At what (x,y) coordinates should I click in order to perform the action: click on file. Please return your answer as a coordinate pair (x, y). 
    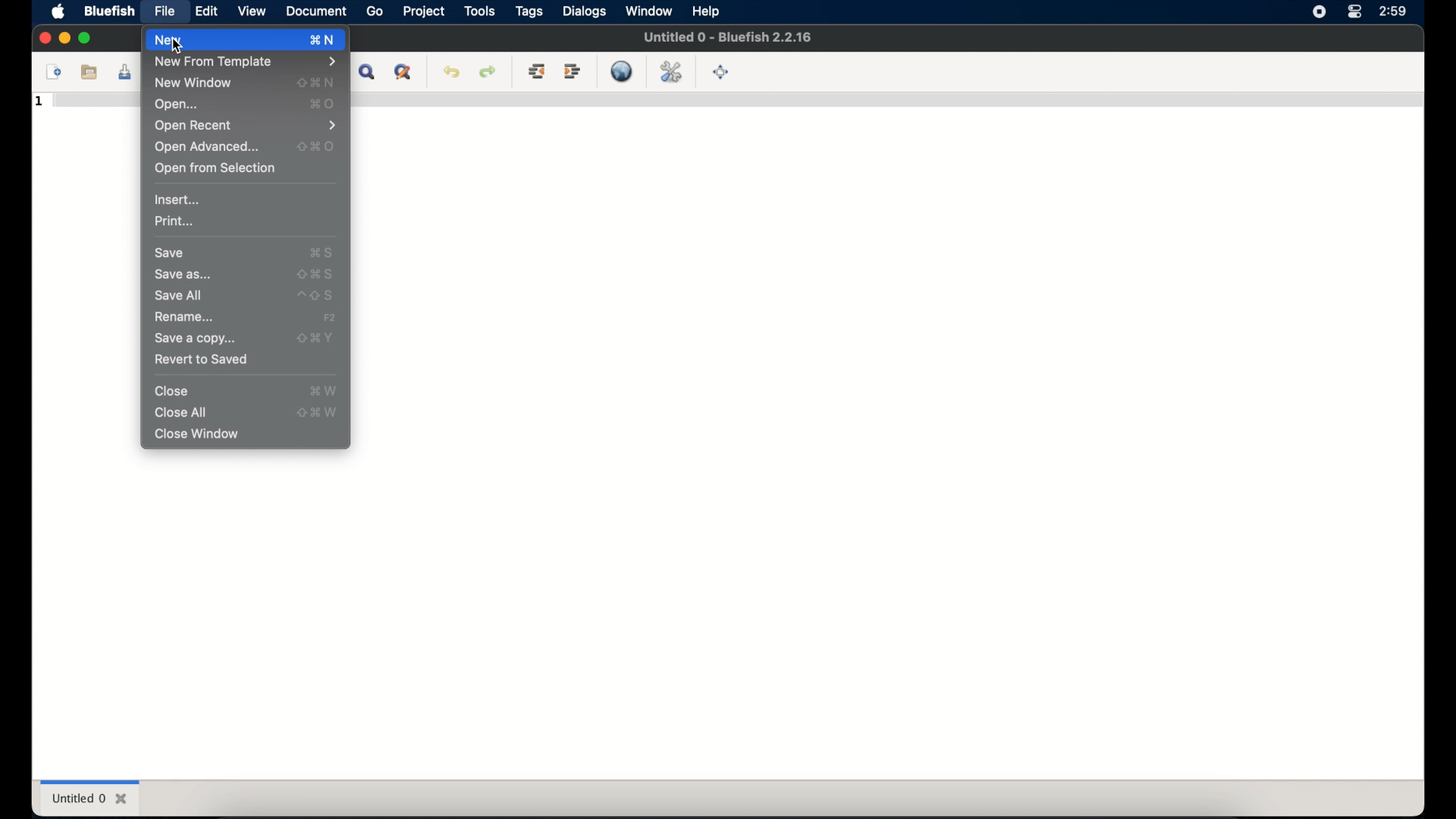
    Looking at the image, I should click on (165, 13).